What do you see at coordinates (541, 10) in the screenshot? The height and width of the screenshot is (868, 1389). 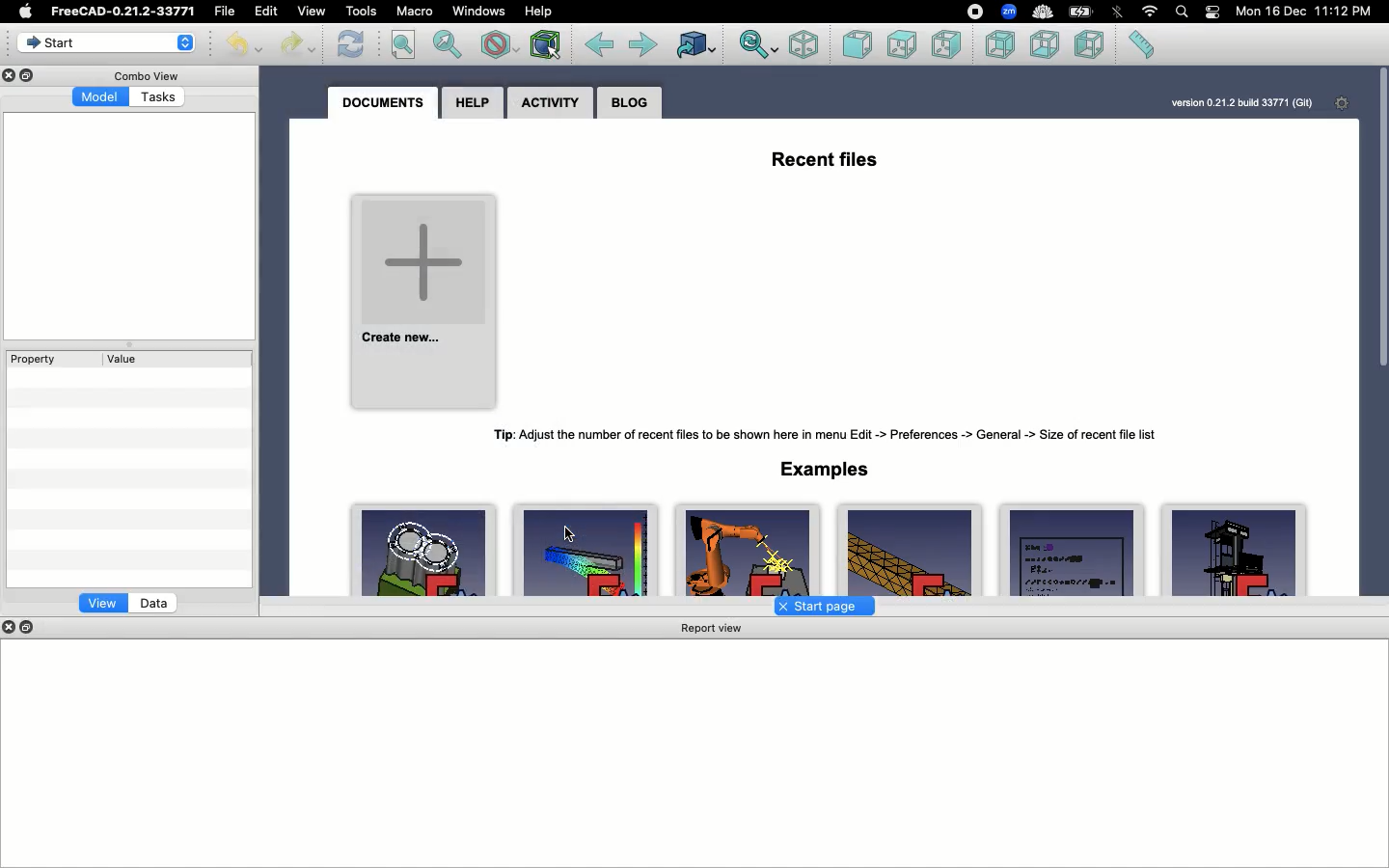 I see `Help` at bounding box center [541, 10].